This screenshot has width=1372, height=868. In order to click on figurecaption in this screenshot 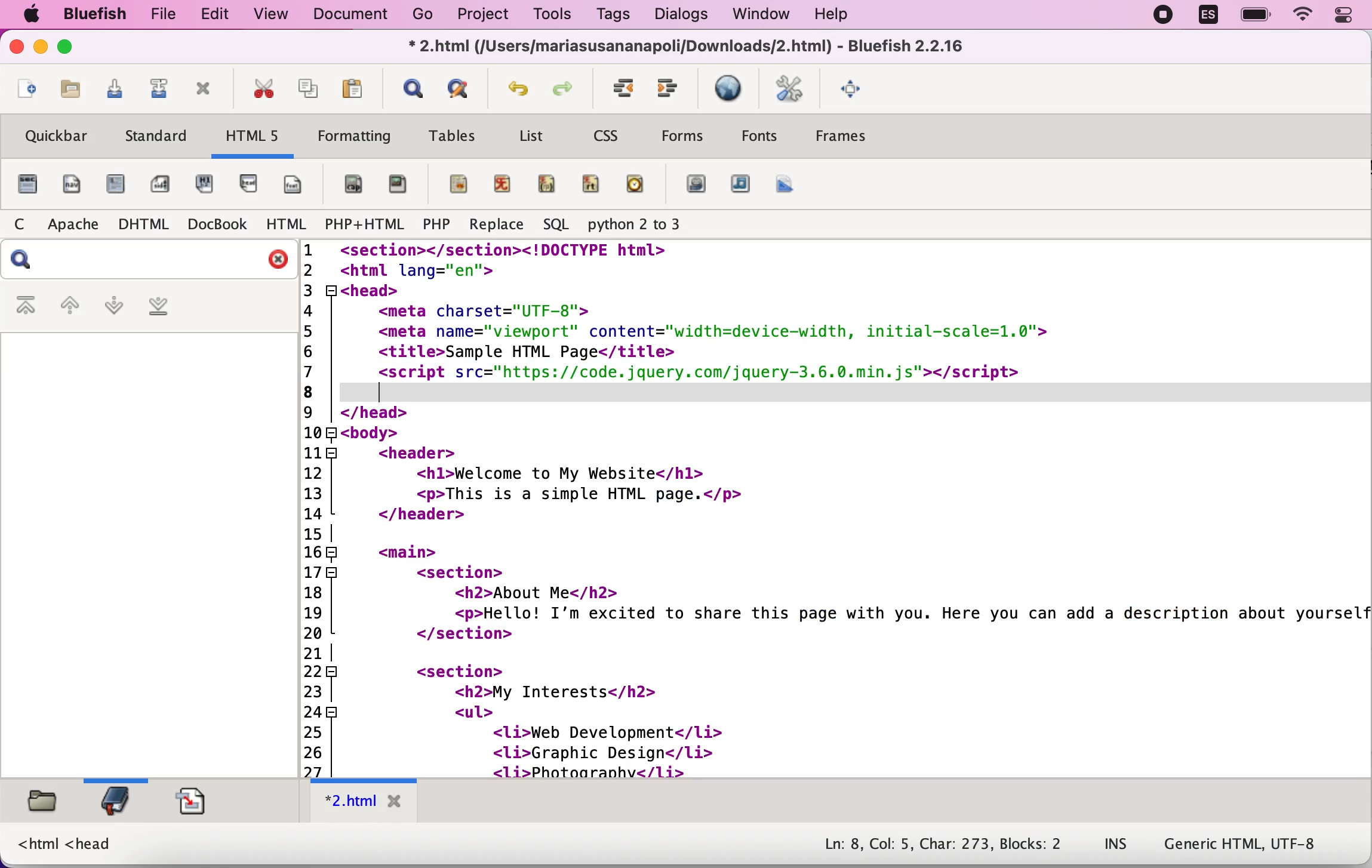, I will do `click(353, 184)`.